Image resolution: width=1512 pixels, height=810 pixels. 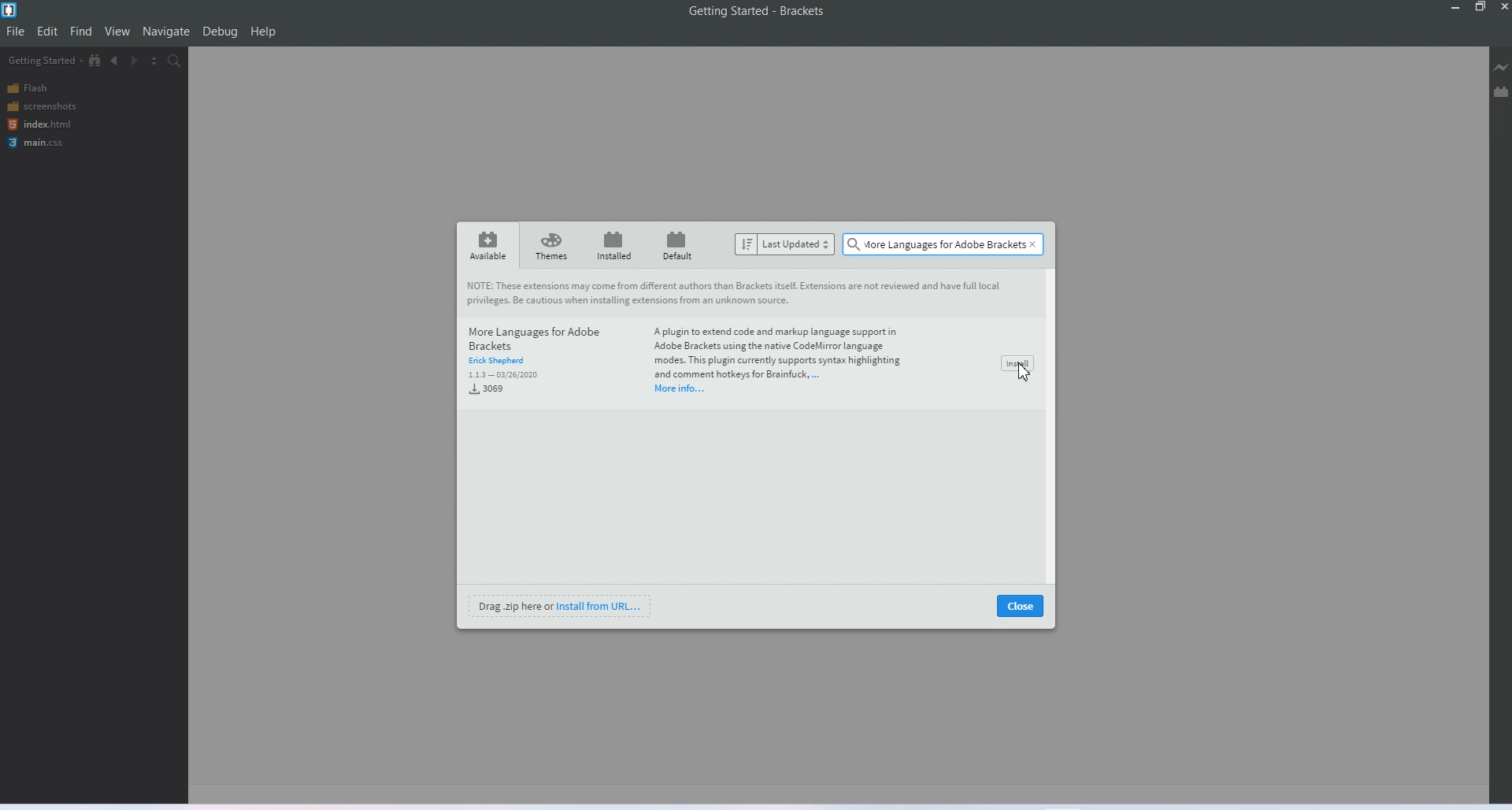 I want to click on A plugin to extend code and markup language support in Adobe Brackets using the native Code language nodes, so click(x=780, y=351).